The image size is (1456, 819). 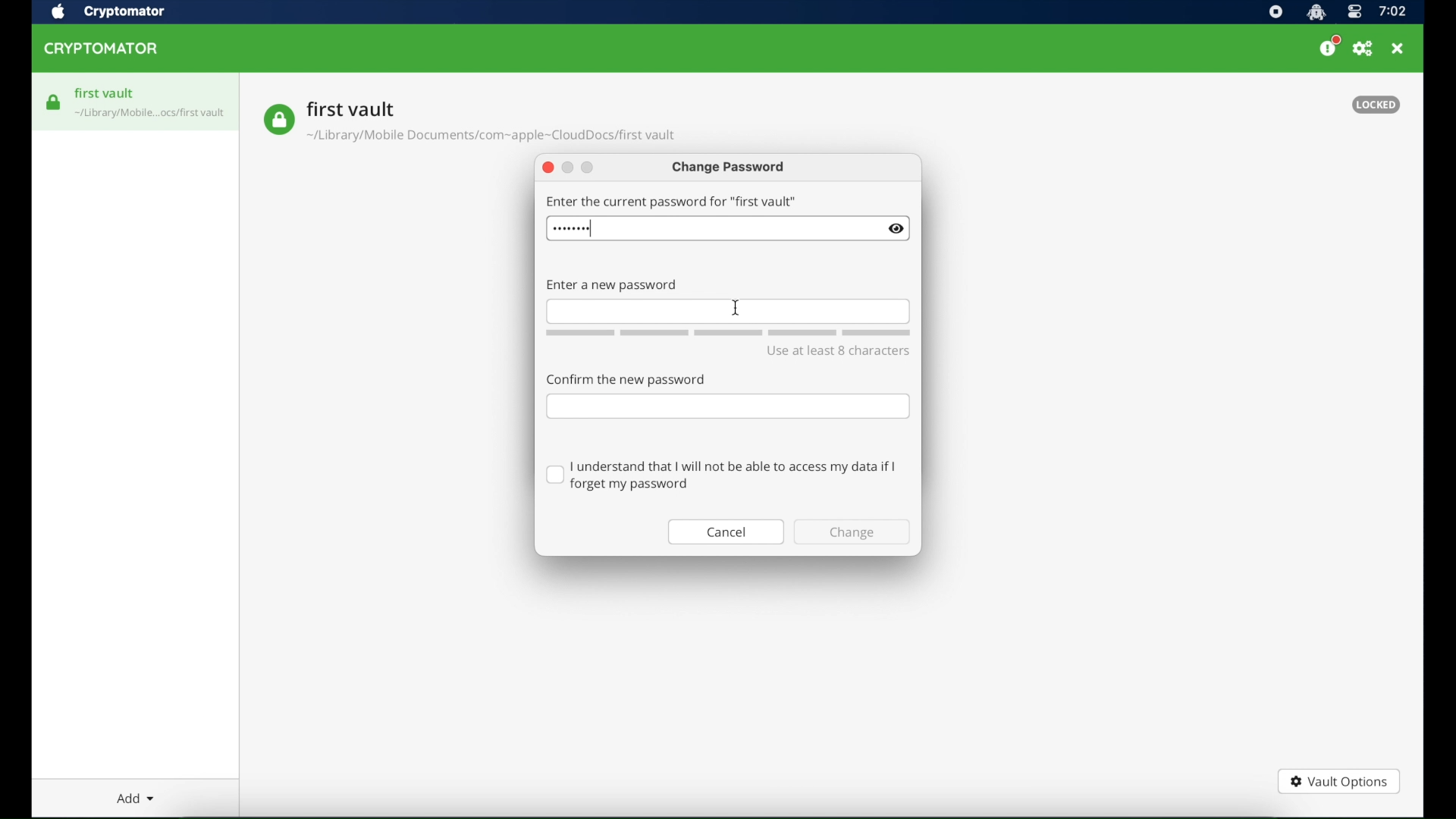 I want to click on change, so click(x=852, y=532).